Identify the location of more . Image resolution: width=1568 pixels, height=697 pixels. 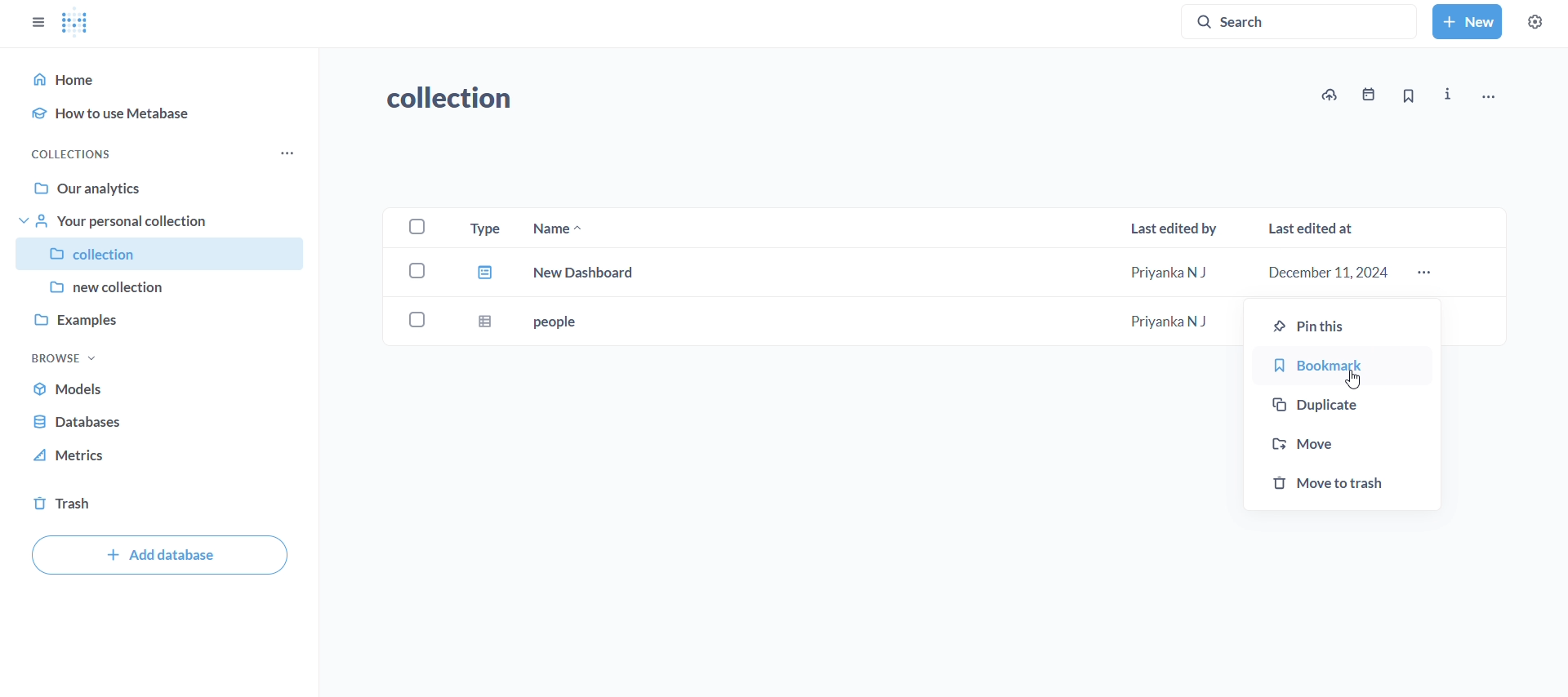
(1427, 273).